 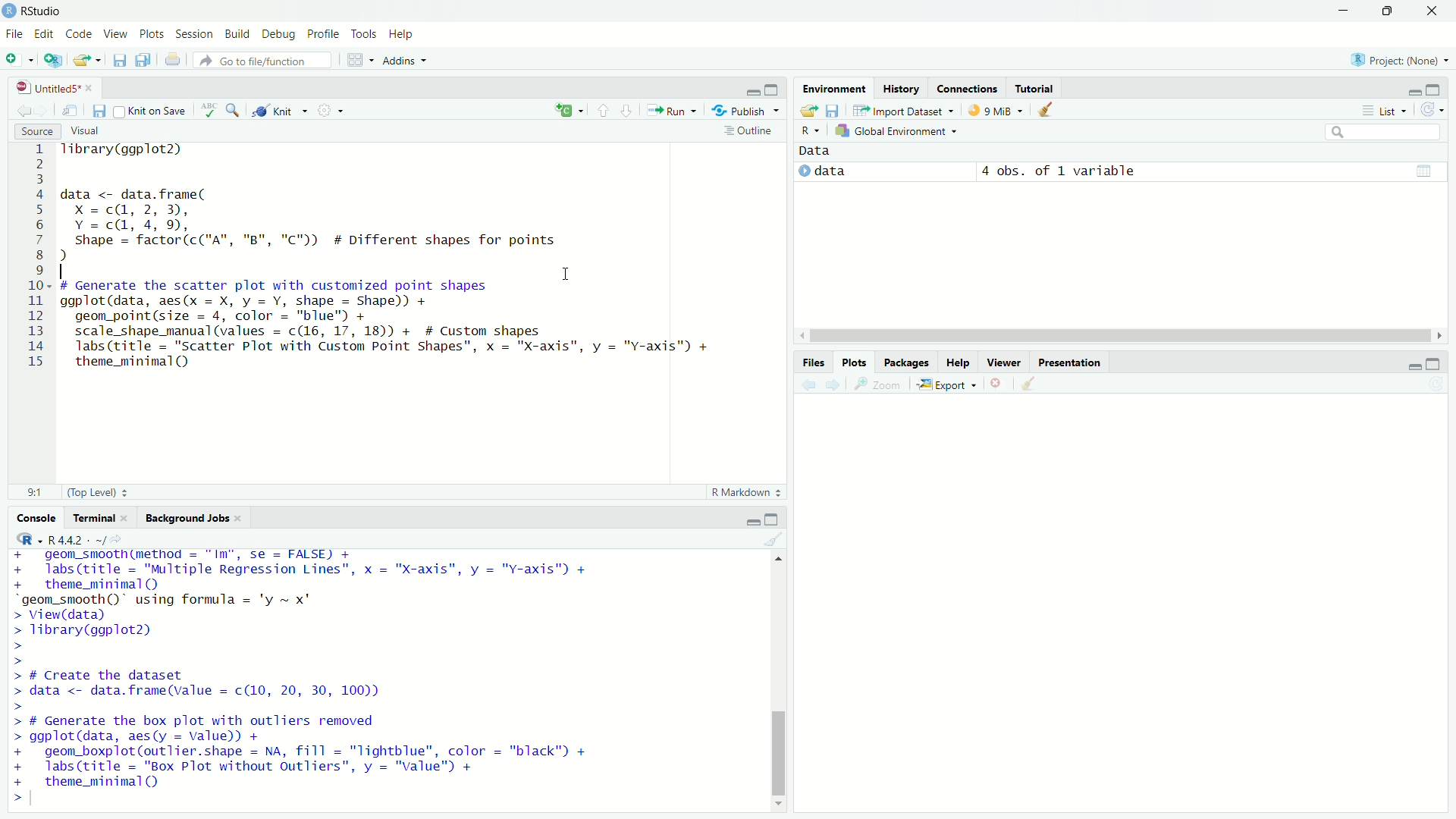 What do you see at coordinates (99, 60) in the screenshot?
I see `Open recent files` at bounding box center [99, 60].